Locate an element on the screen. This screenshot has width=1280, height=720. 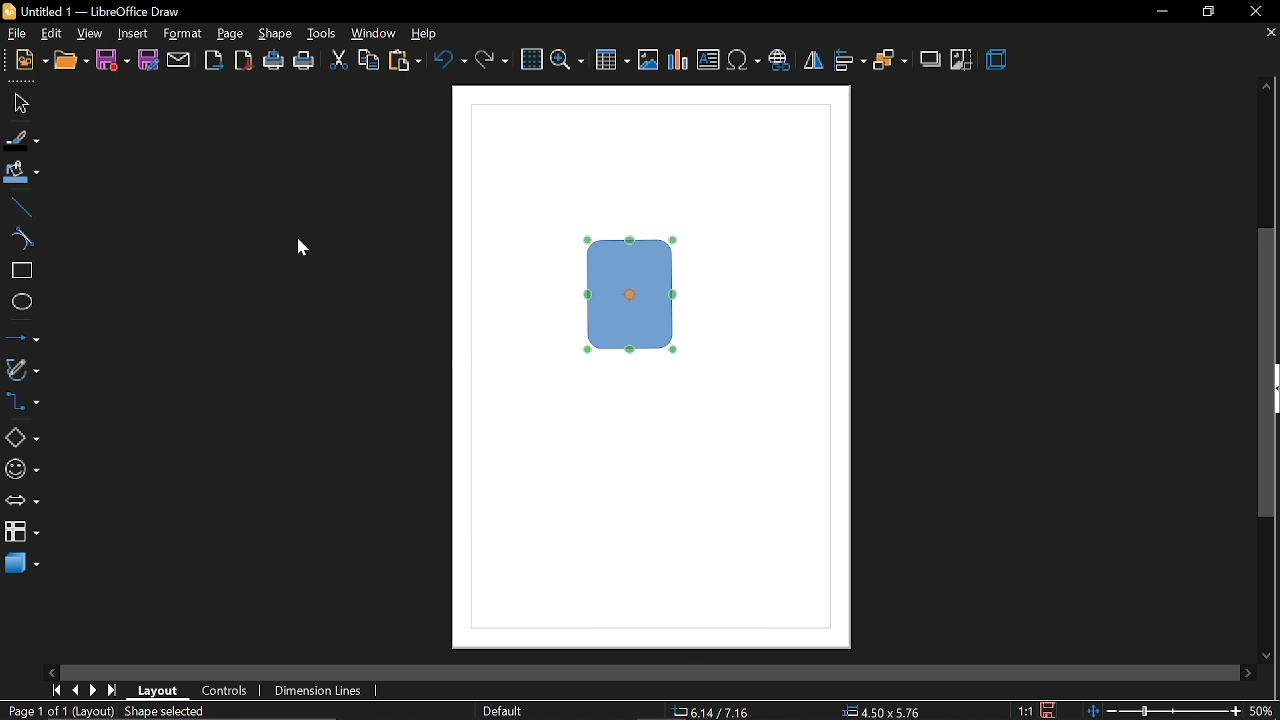
format is located at coordinates (184, 35).